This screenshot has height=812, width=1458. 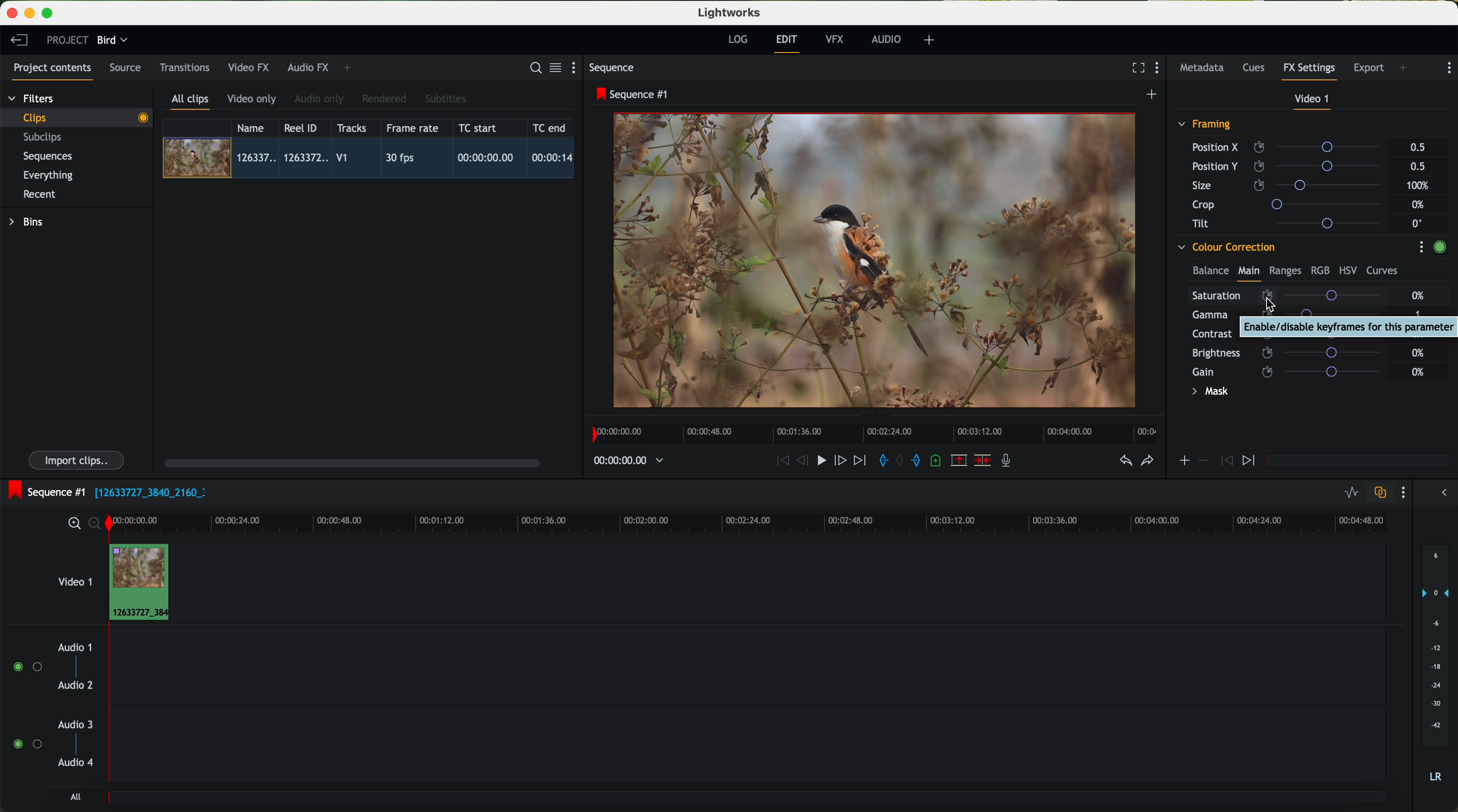 What do you see at coordinates (1402, 492) in the screenshot?
I see `show settings menu` at bounding box center [1402, 492].